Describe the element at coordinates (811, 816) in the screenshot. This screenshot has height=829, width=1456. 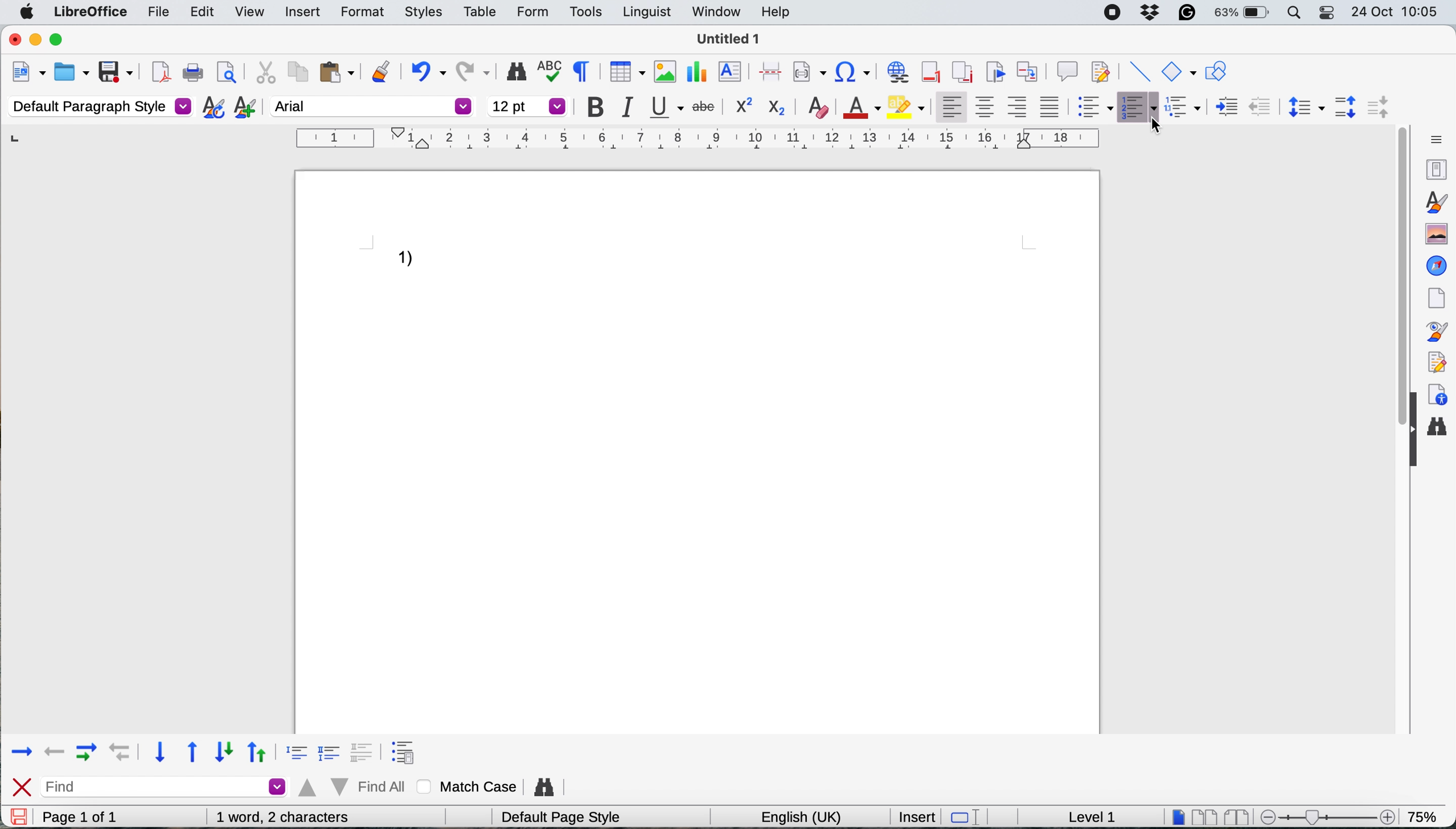
I see `english(uk)` at that location.